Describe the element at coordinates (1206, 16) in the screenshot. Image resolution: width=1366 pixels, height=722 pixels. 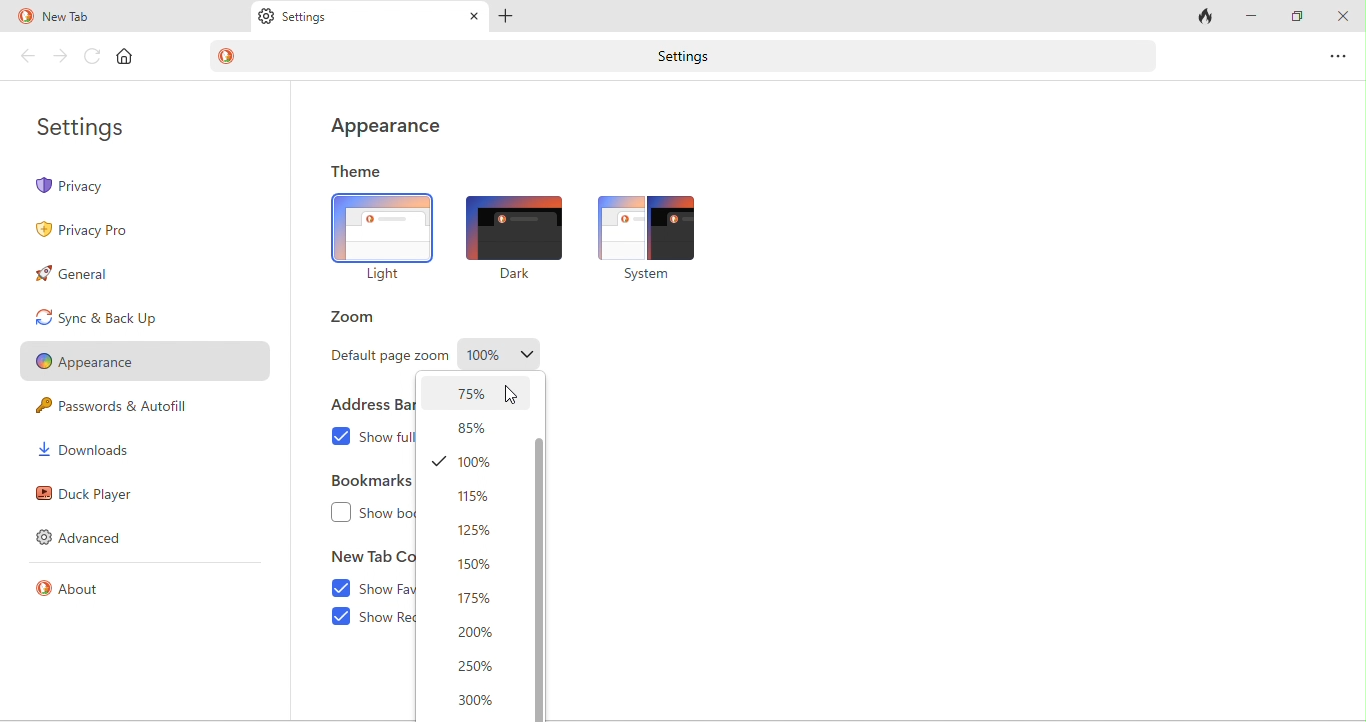
I see `close tab and clear data` at that location.